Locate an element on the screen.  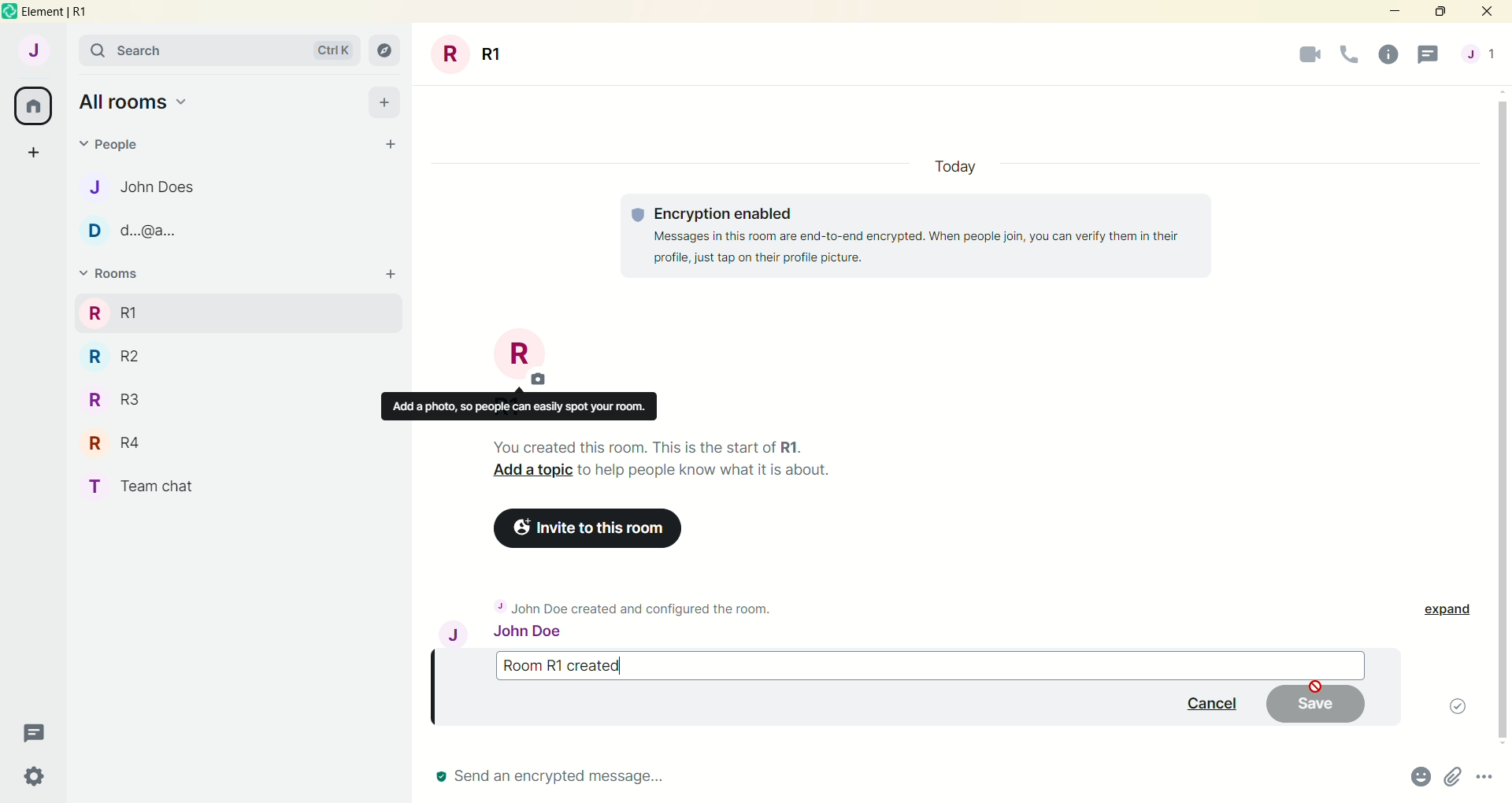
close is located at coordinates (1490, 12).